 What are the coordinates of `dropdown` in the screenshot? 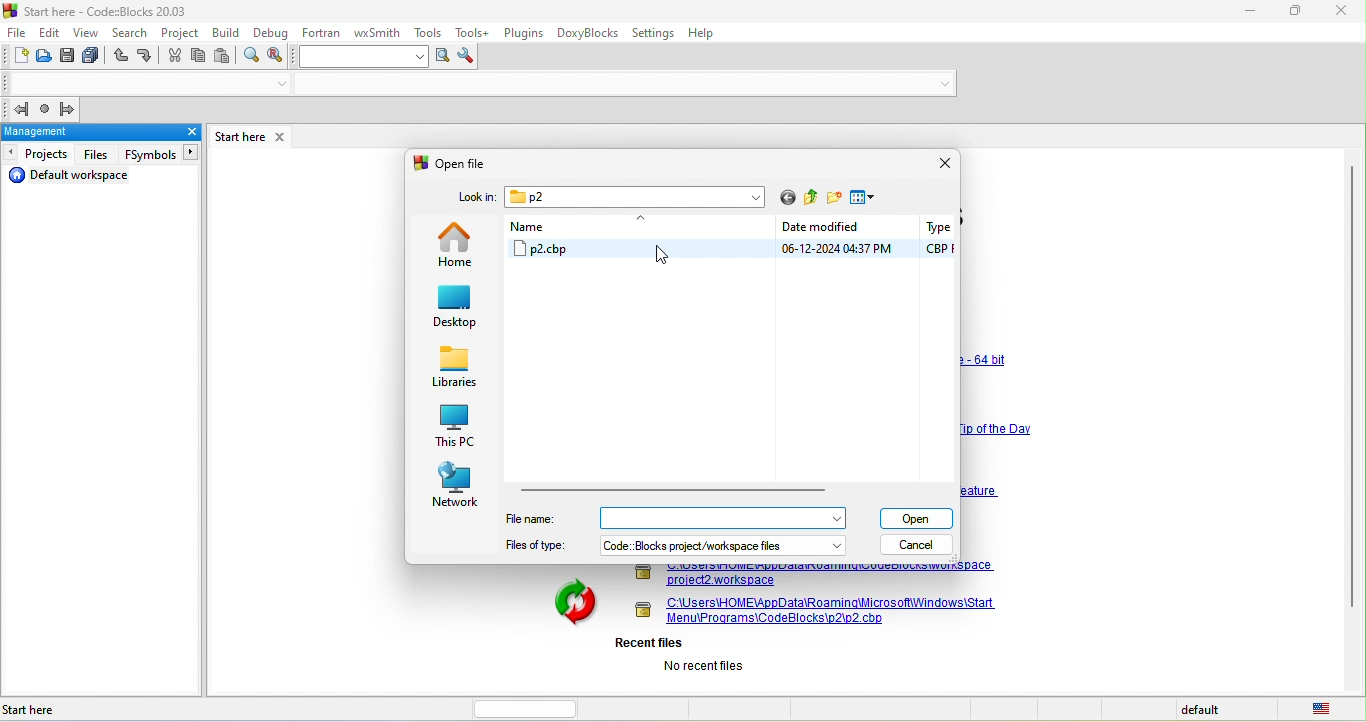 It's located at (837, 519).